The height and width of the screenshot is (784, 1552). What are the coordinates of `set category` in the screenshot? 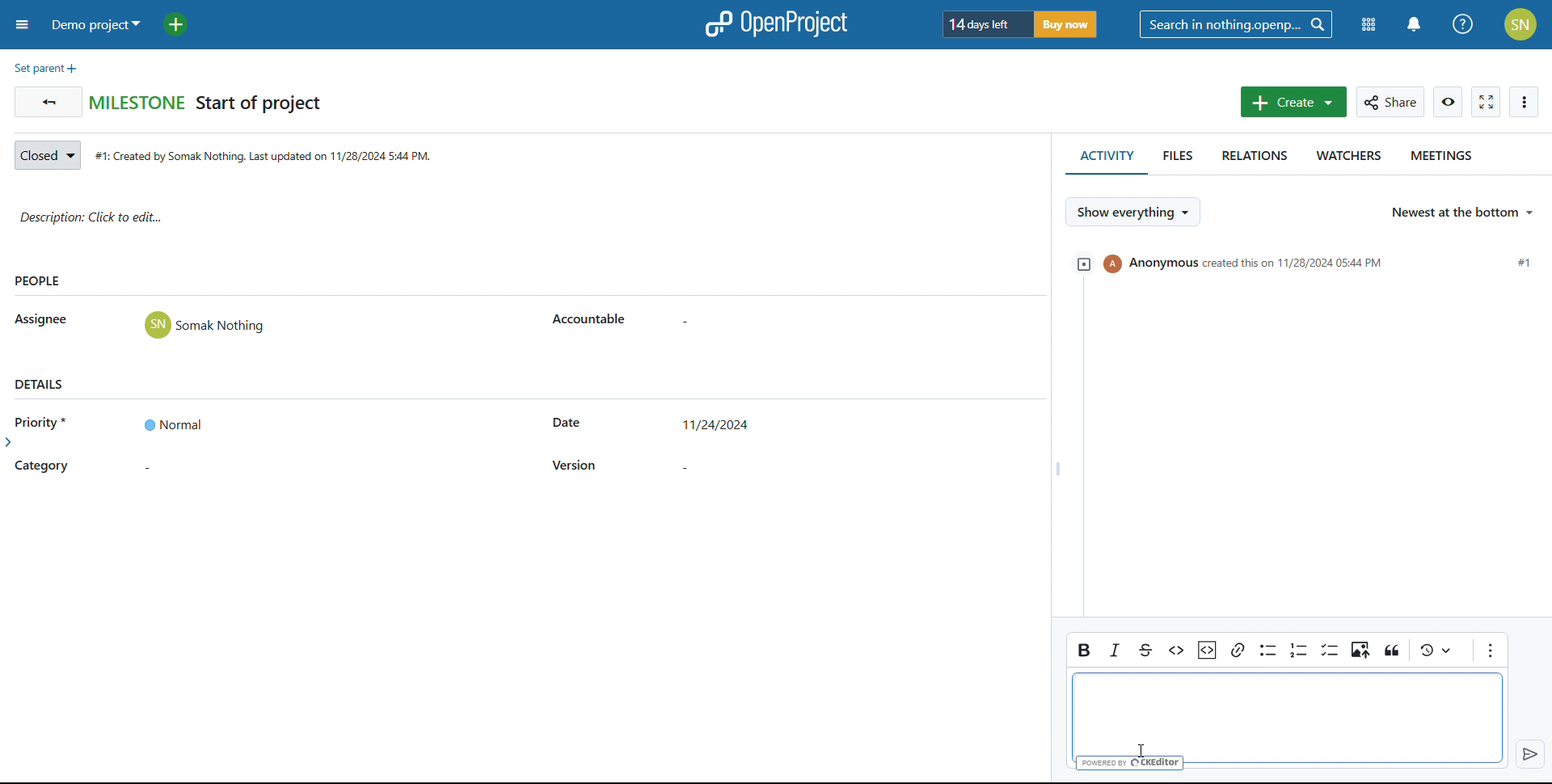 It's located at (172, 469).